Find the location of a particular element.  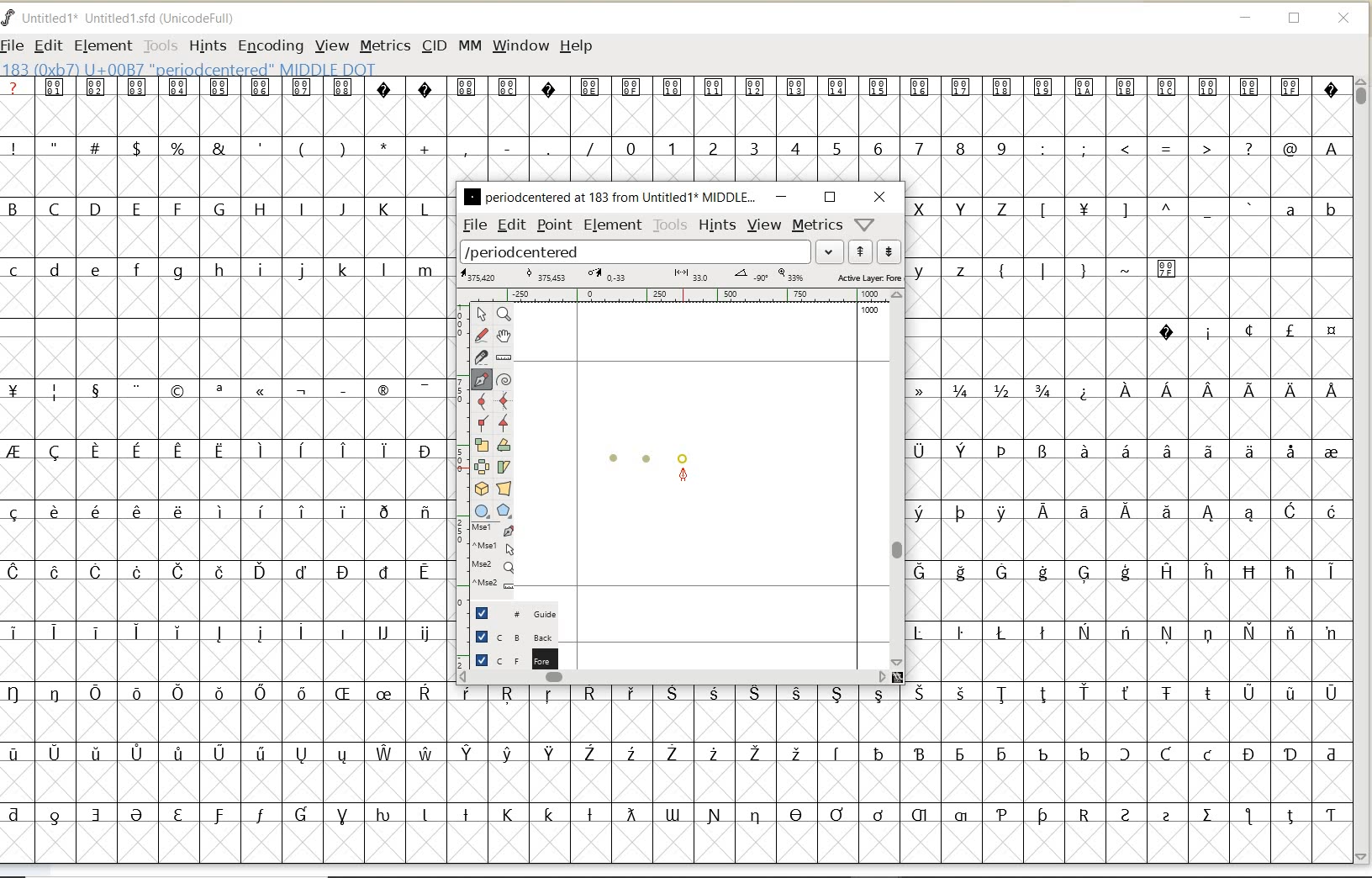

view is located at coordinates (765, 225).